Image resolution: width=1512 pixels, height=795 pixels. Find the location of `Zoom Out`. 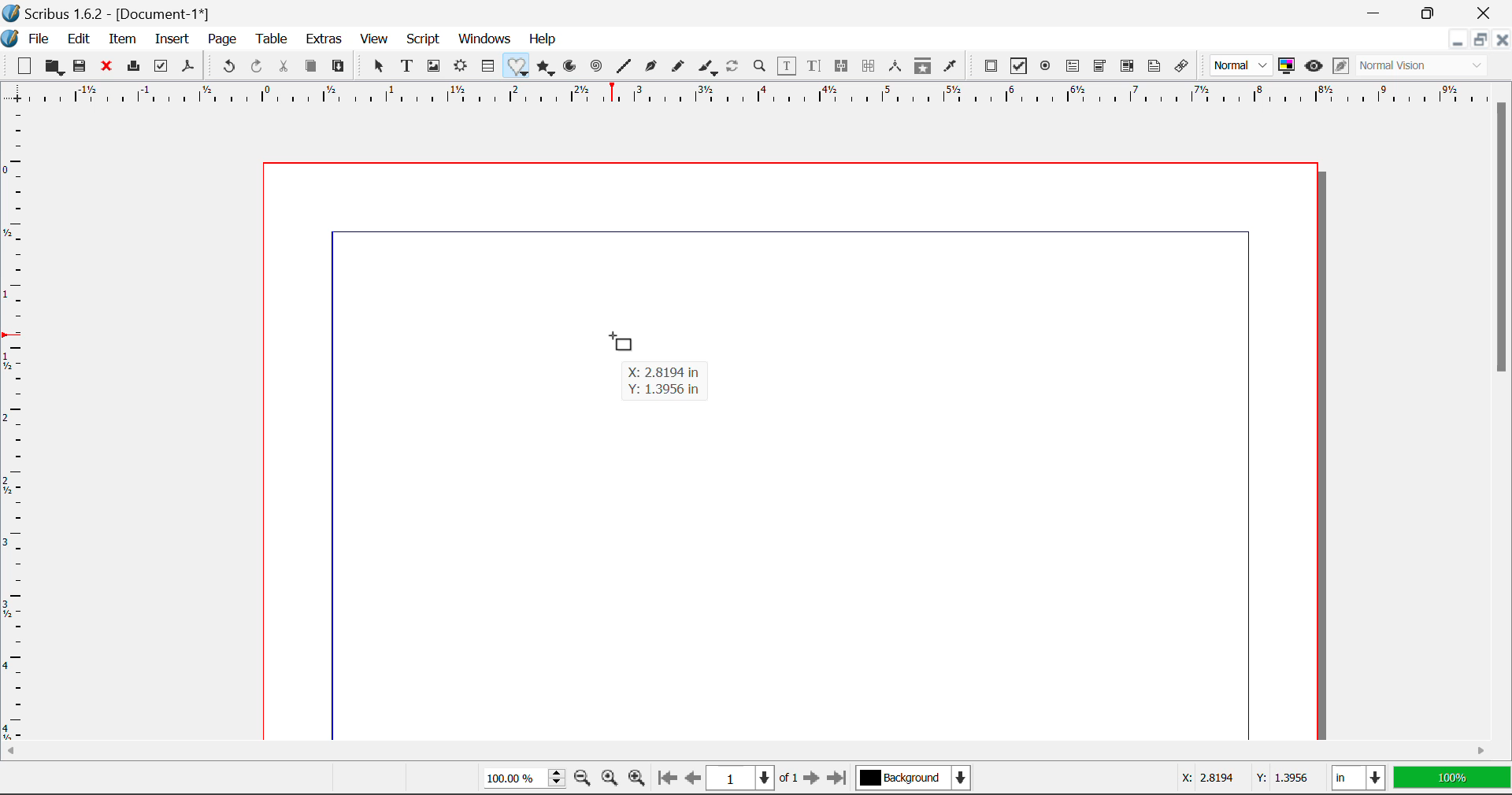

Zoom Out is located at coordinates (583, 779).